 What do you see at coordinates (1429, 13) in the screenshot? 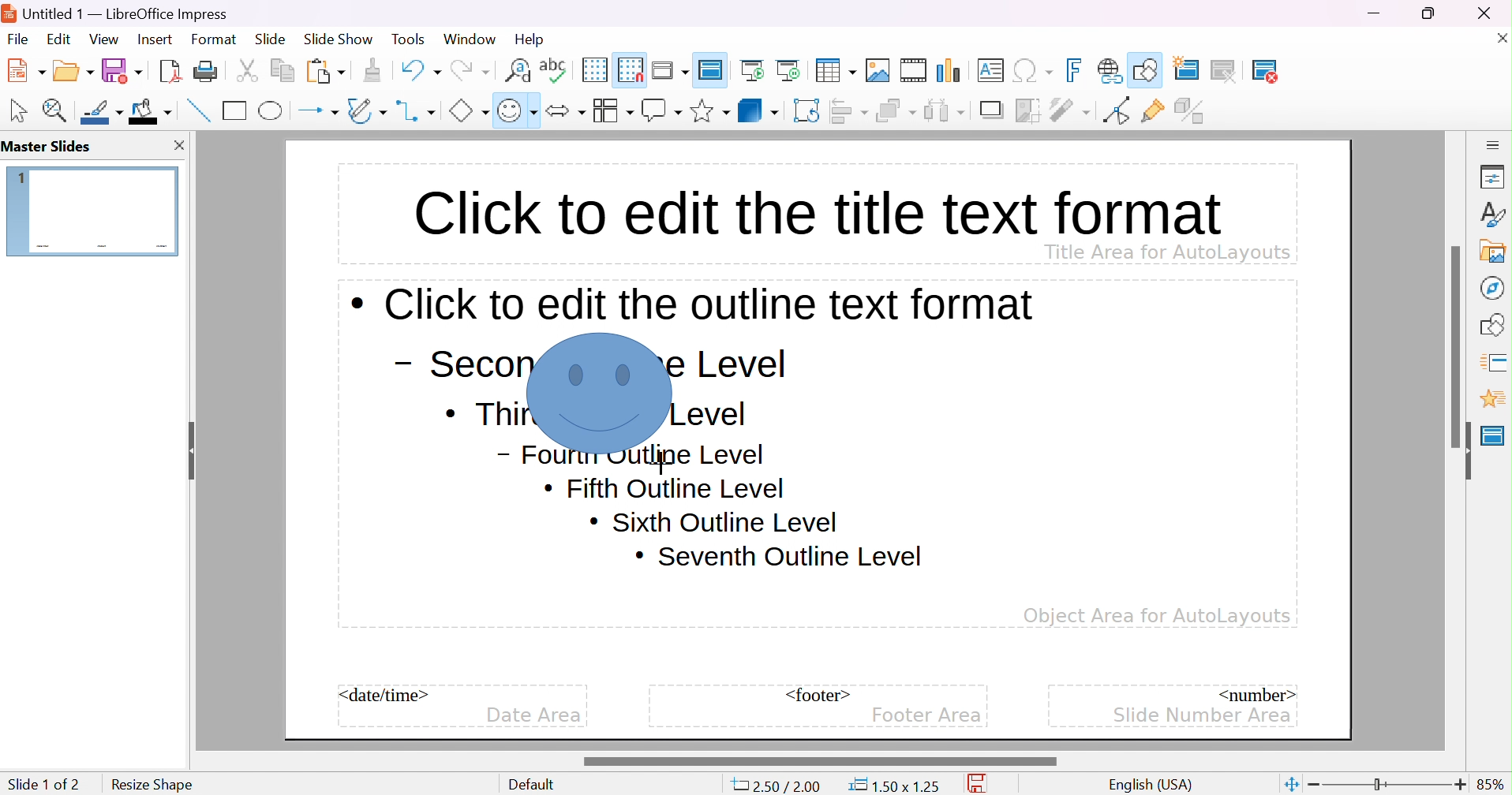
I see `restore down` at bounding box center [1429, 13].